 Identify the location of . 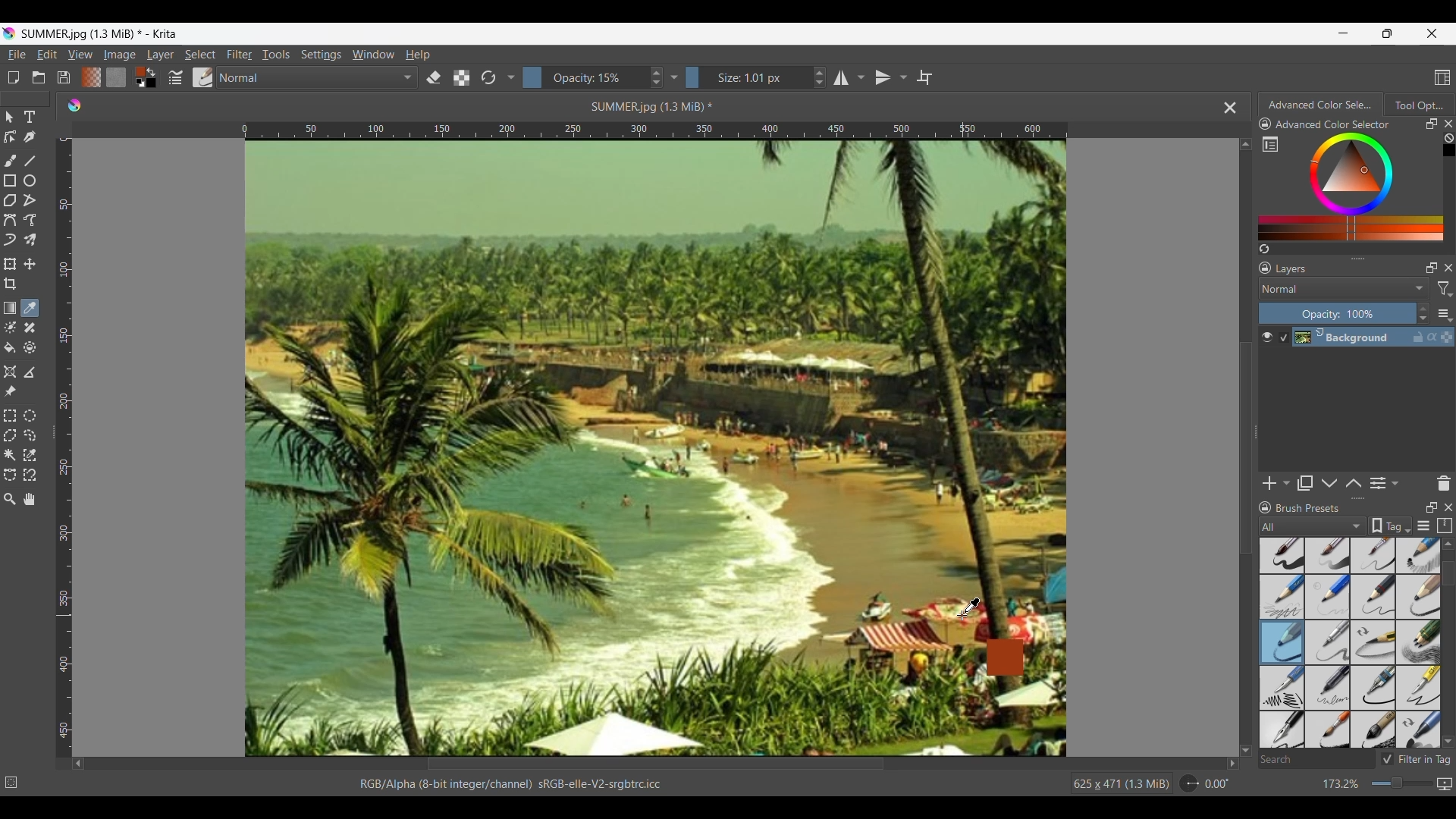
(1269, 144).